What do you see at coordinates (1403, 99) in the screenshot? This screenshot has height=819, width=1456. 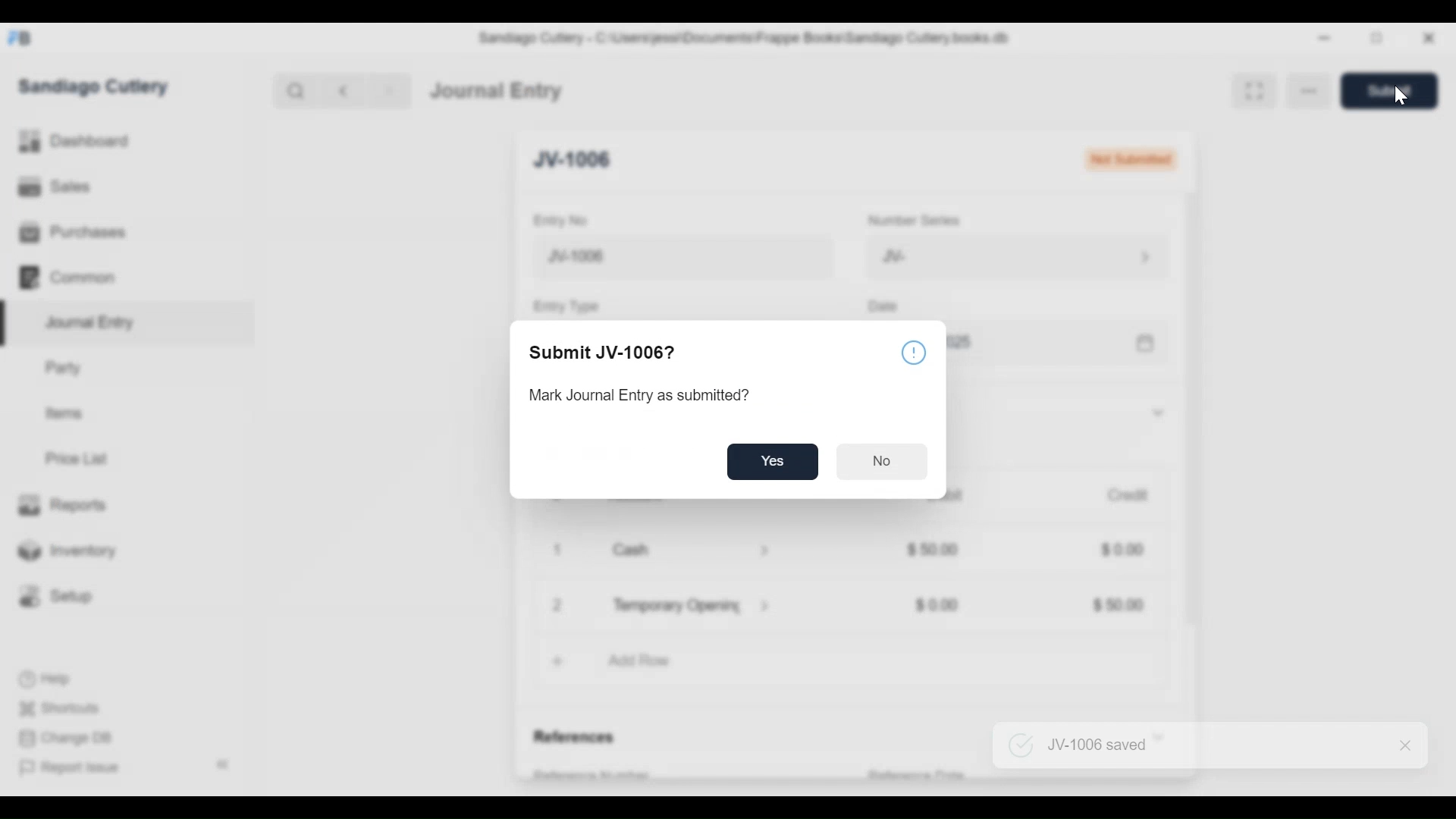 I see `Cursor` at bounding box center [1403, 99].